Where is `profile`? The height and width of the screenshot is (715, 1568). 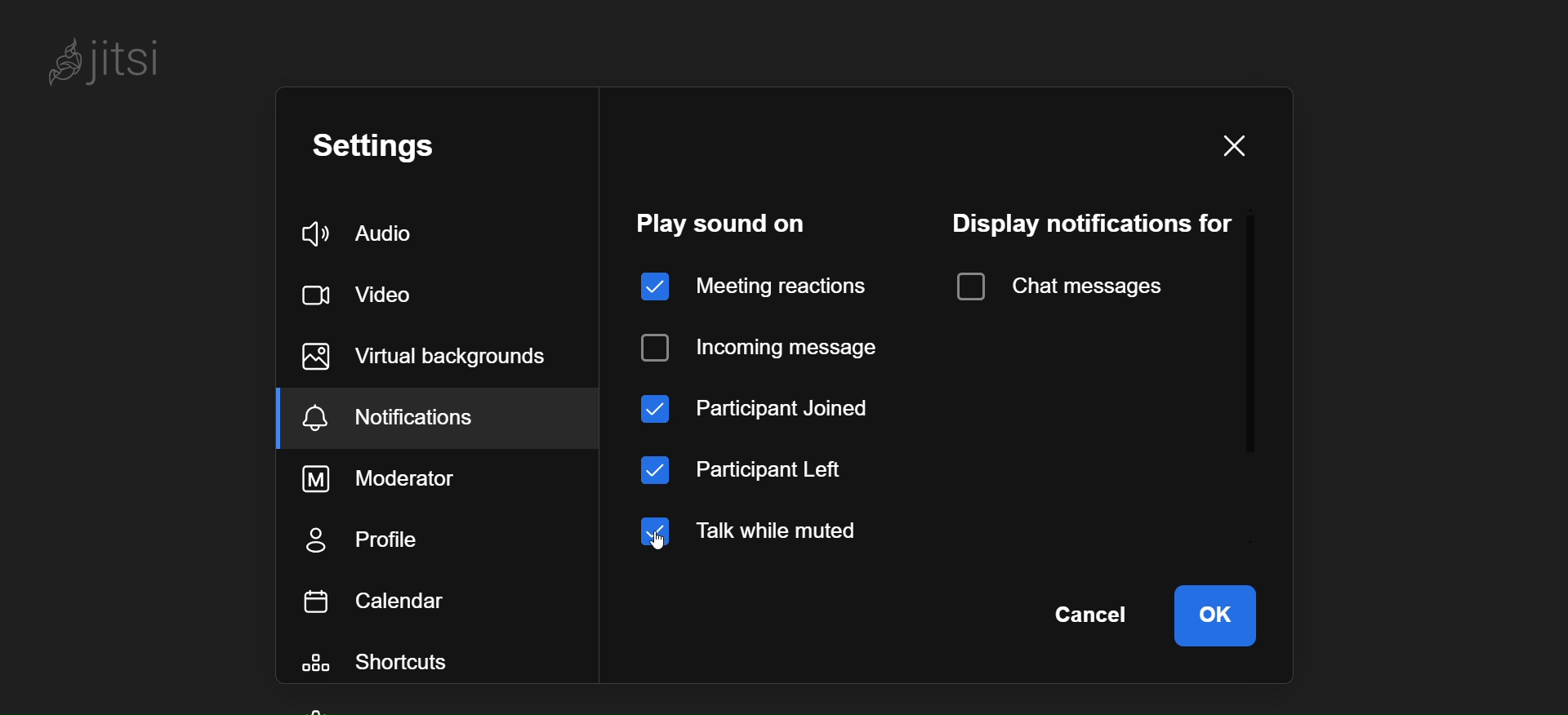
profile is located at coordinates (390, 539).